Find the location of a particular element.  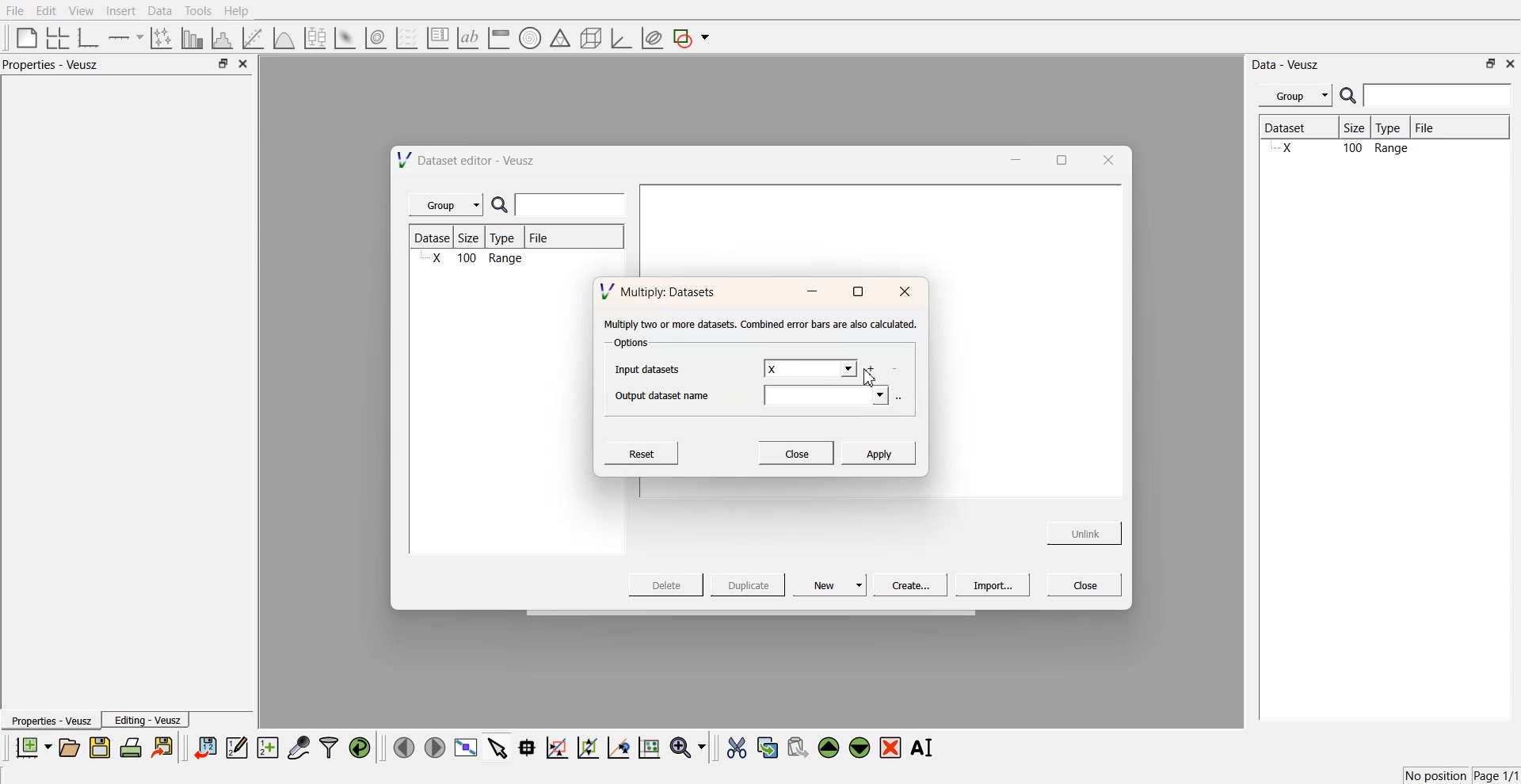

3d shapes is located at coordinates (588, 38).